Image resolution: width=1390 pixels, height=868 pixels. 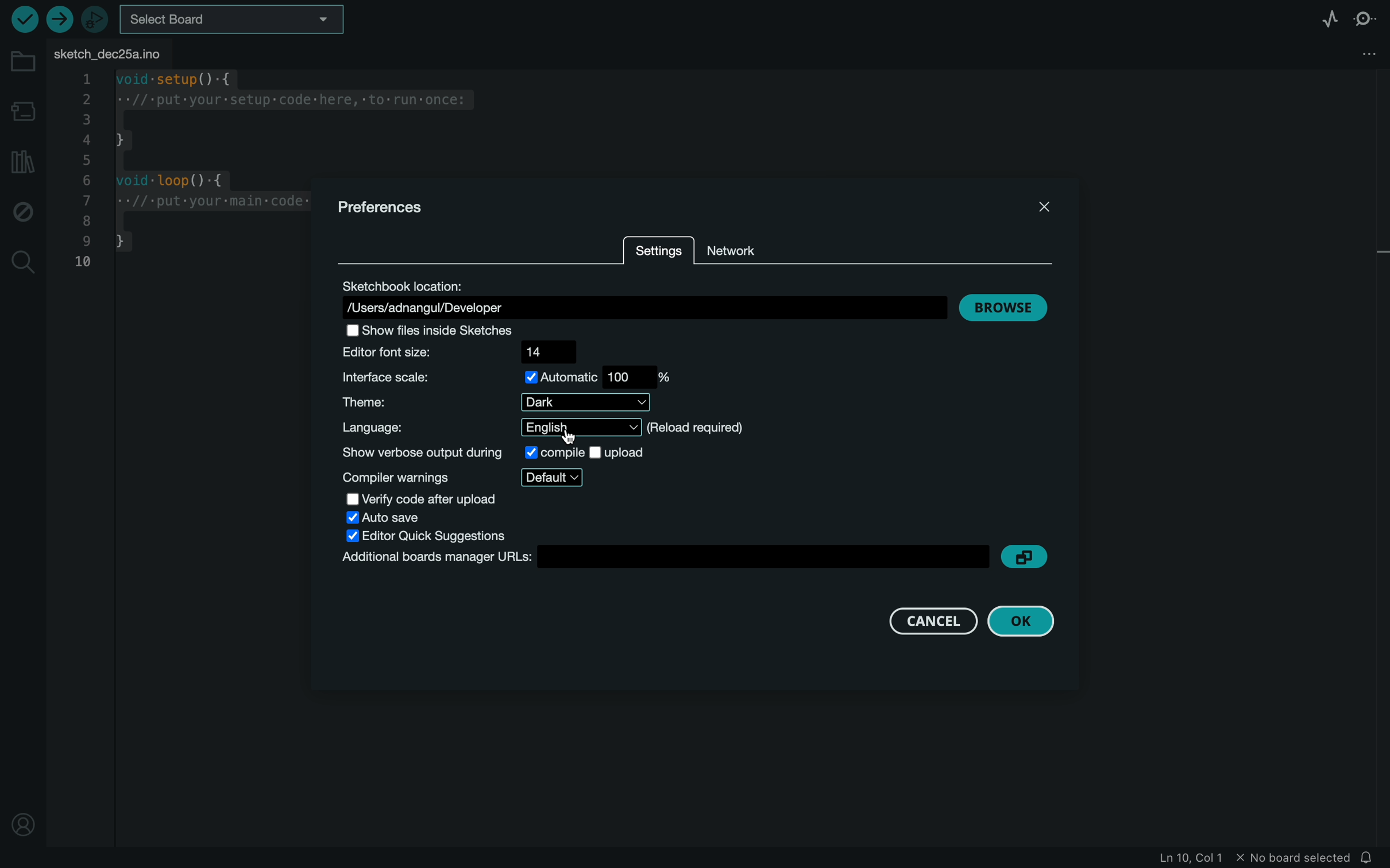 What do you see at coordinates (1356, 53) in the screenshot?
I see `file  setting` at bounding box center [1356, 53].